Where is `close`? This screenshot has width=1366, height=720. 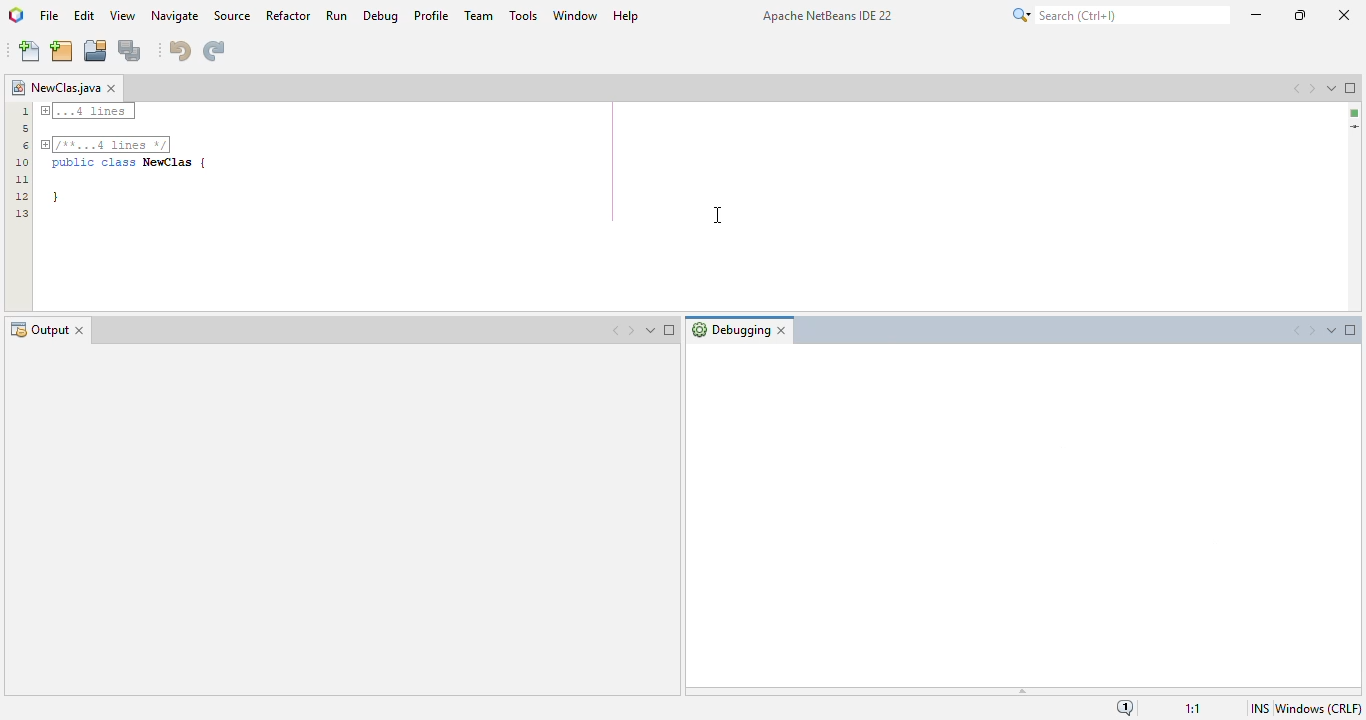 close is located at coordinates (1343, 15).